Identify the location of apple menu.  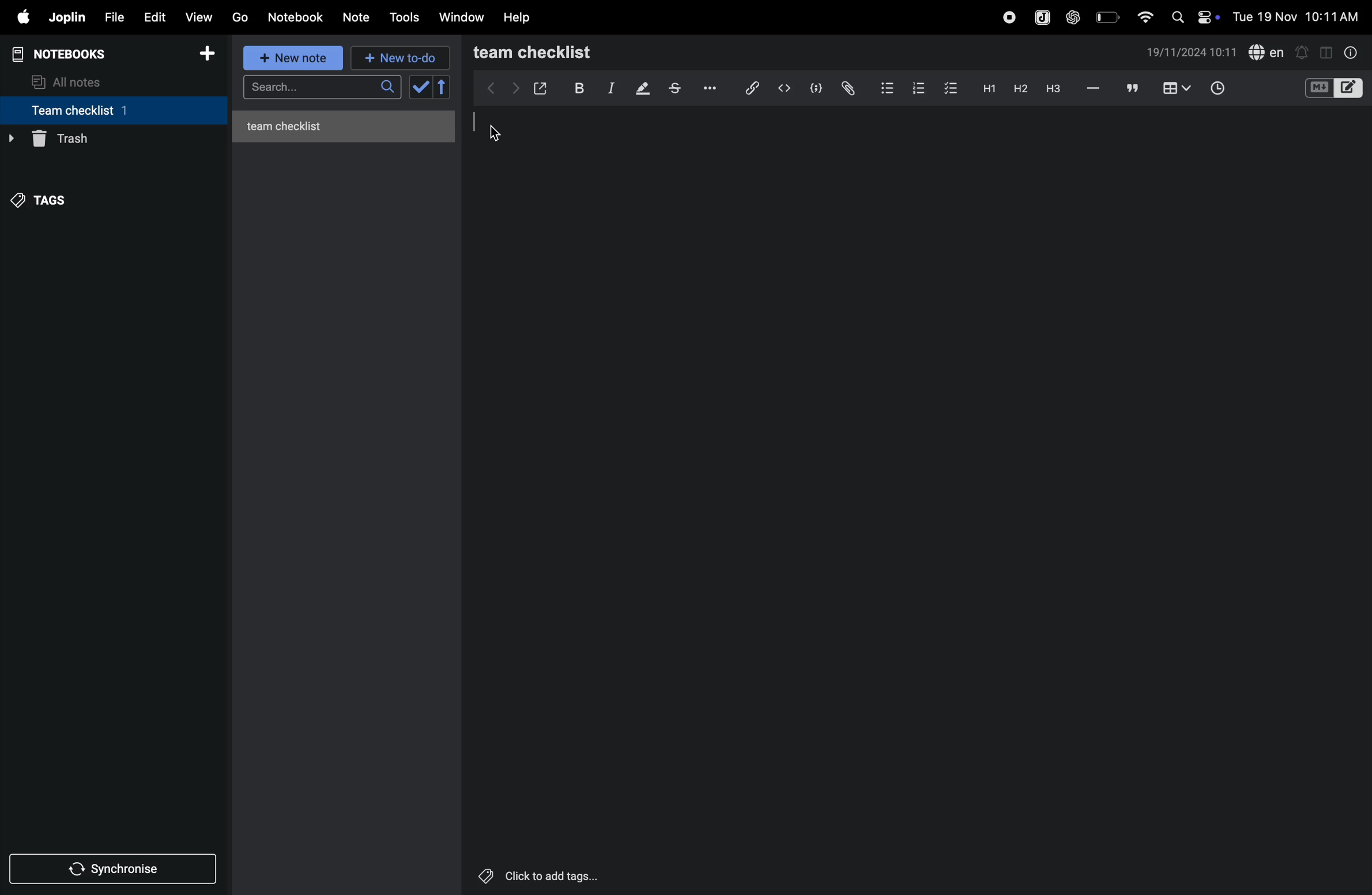
(22, 18).